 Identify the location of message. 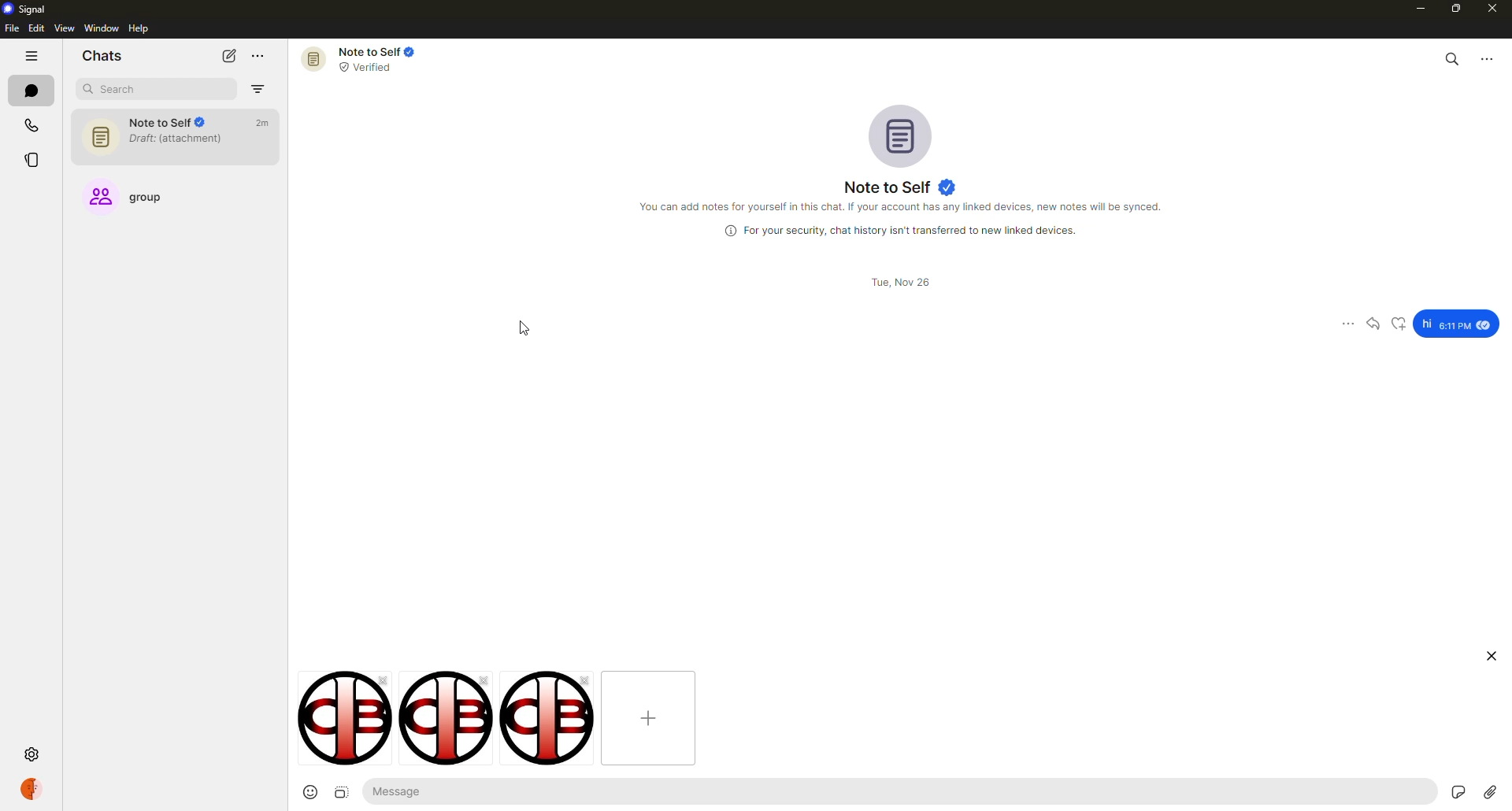
(404, 791).